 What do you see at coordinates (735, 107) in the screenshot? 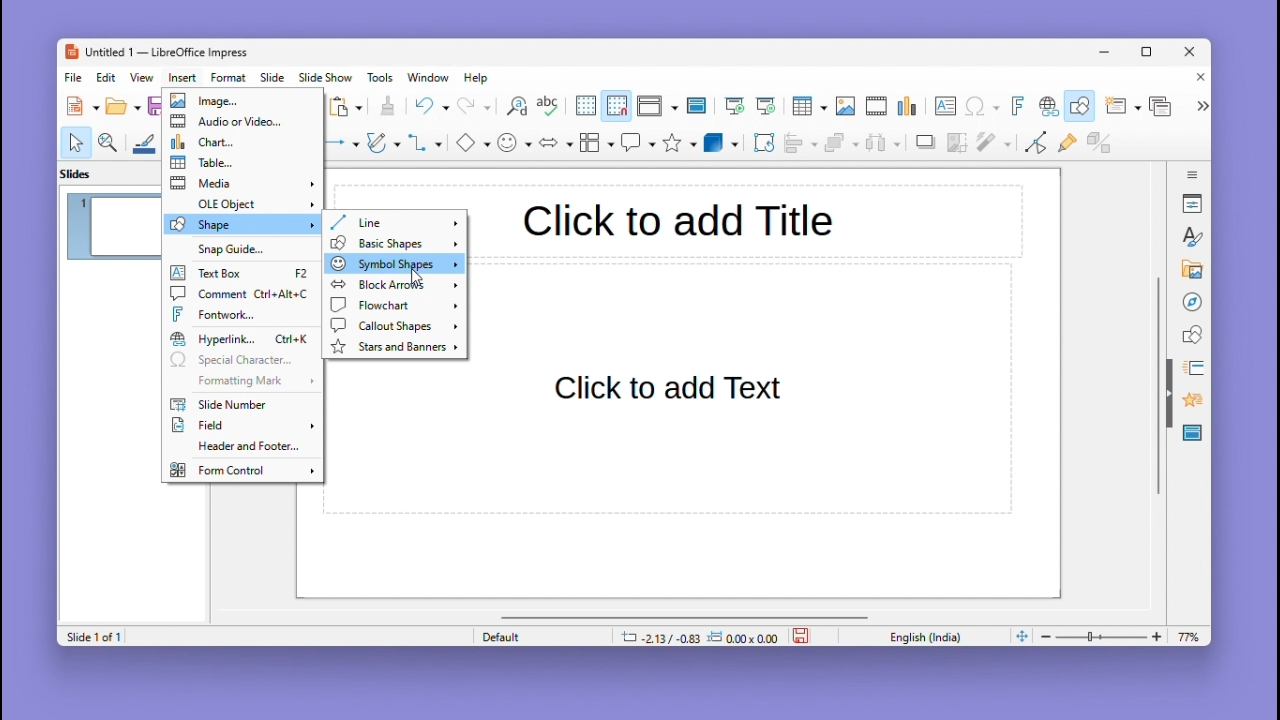
I see `First slide` at bounding box center [735, 107].